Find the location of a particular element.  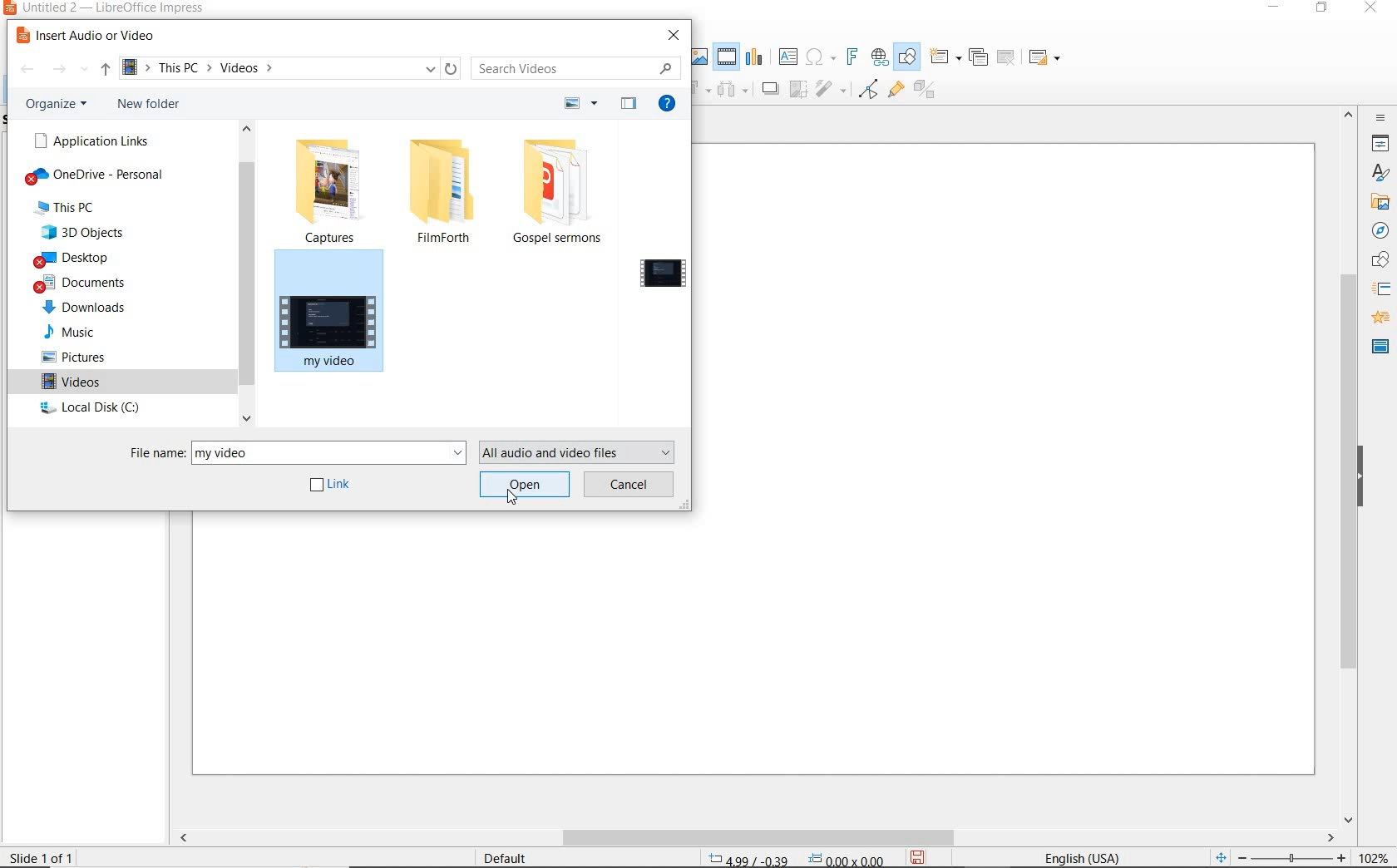

CHANGE YOUR VIEW  is located at coordinates (583, 102).